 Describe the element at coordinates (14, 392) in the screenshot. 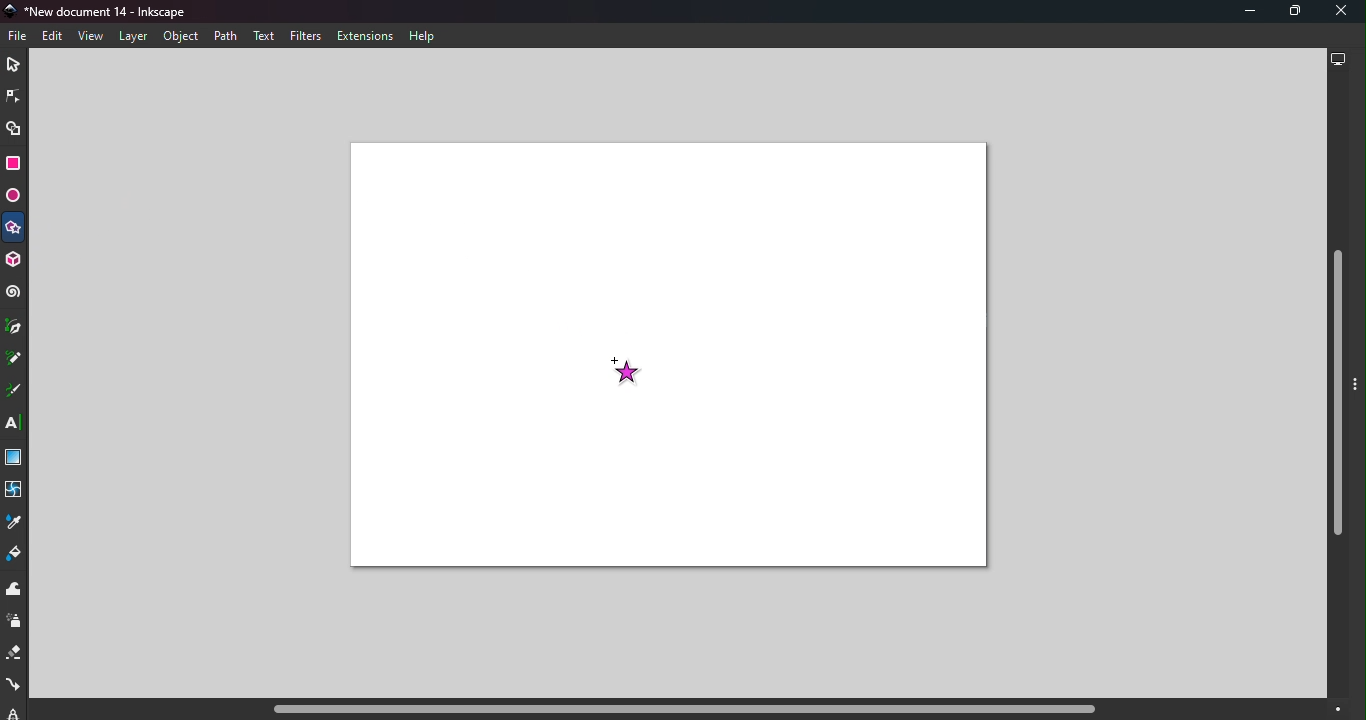

I see `Calligraphy tool` at that location.